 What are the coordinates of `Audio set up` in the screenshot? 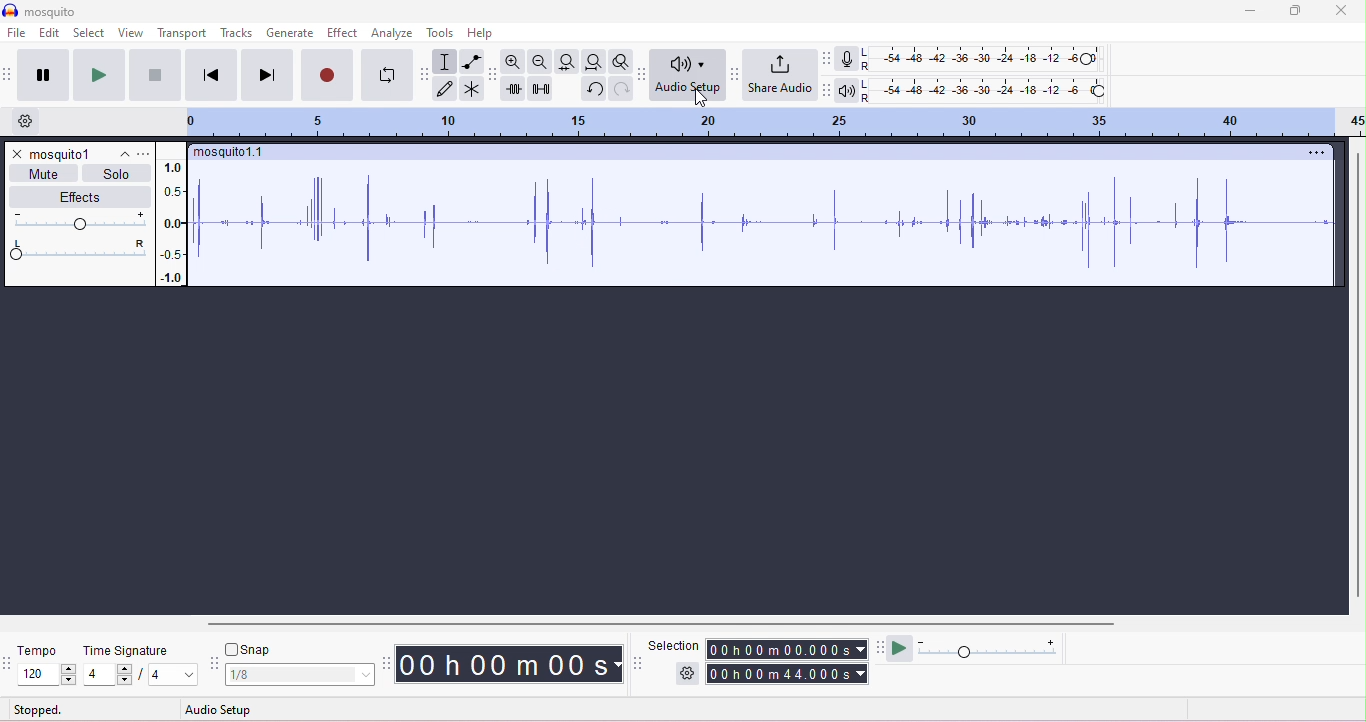 It's located at (238, 707).